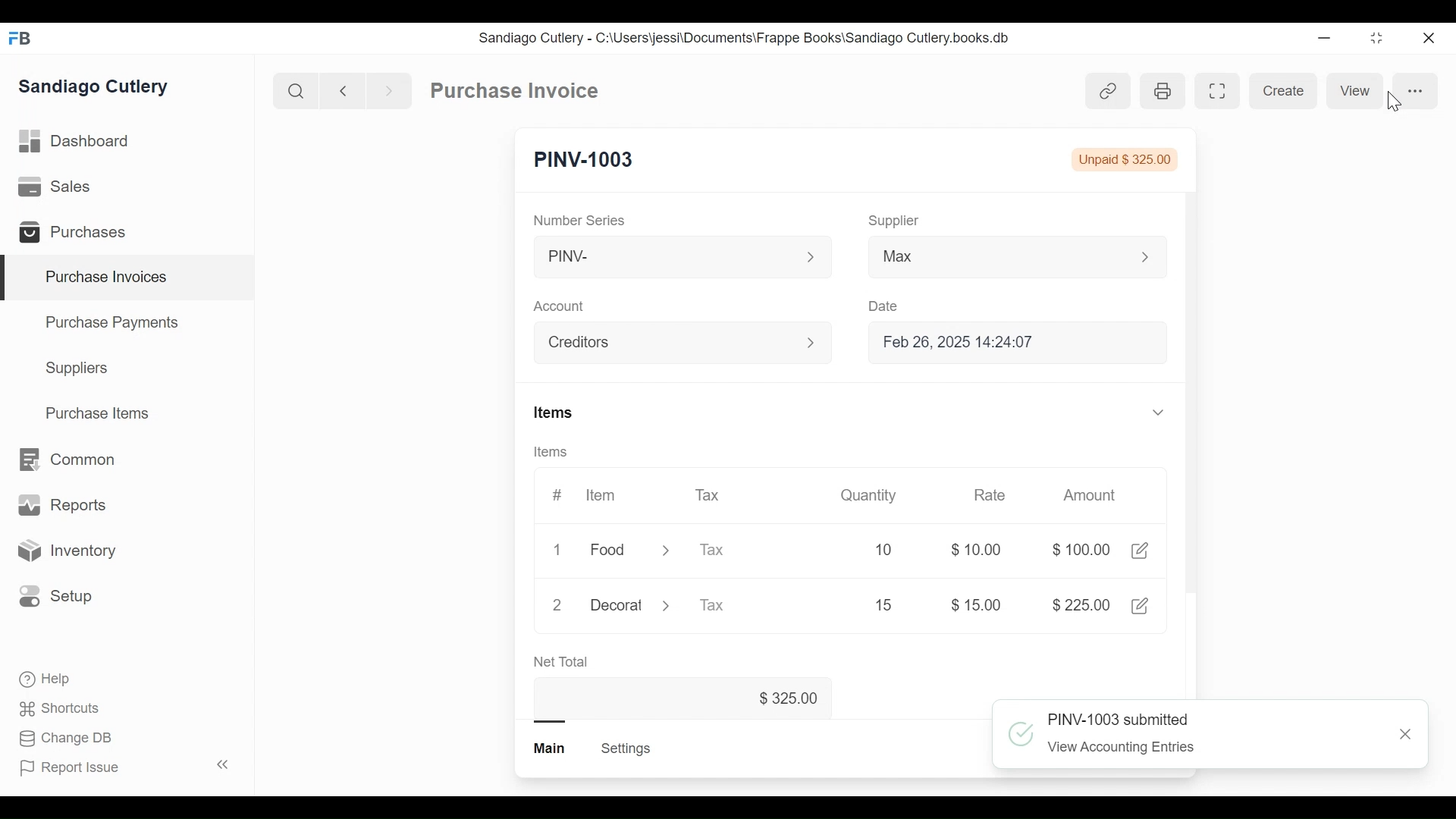 This screenshot has height=819, width=1456. I want to click on PINV-1003, so click(583, 160).